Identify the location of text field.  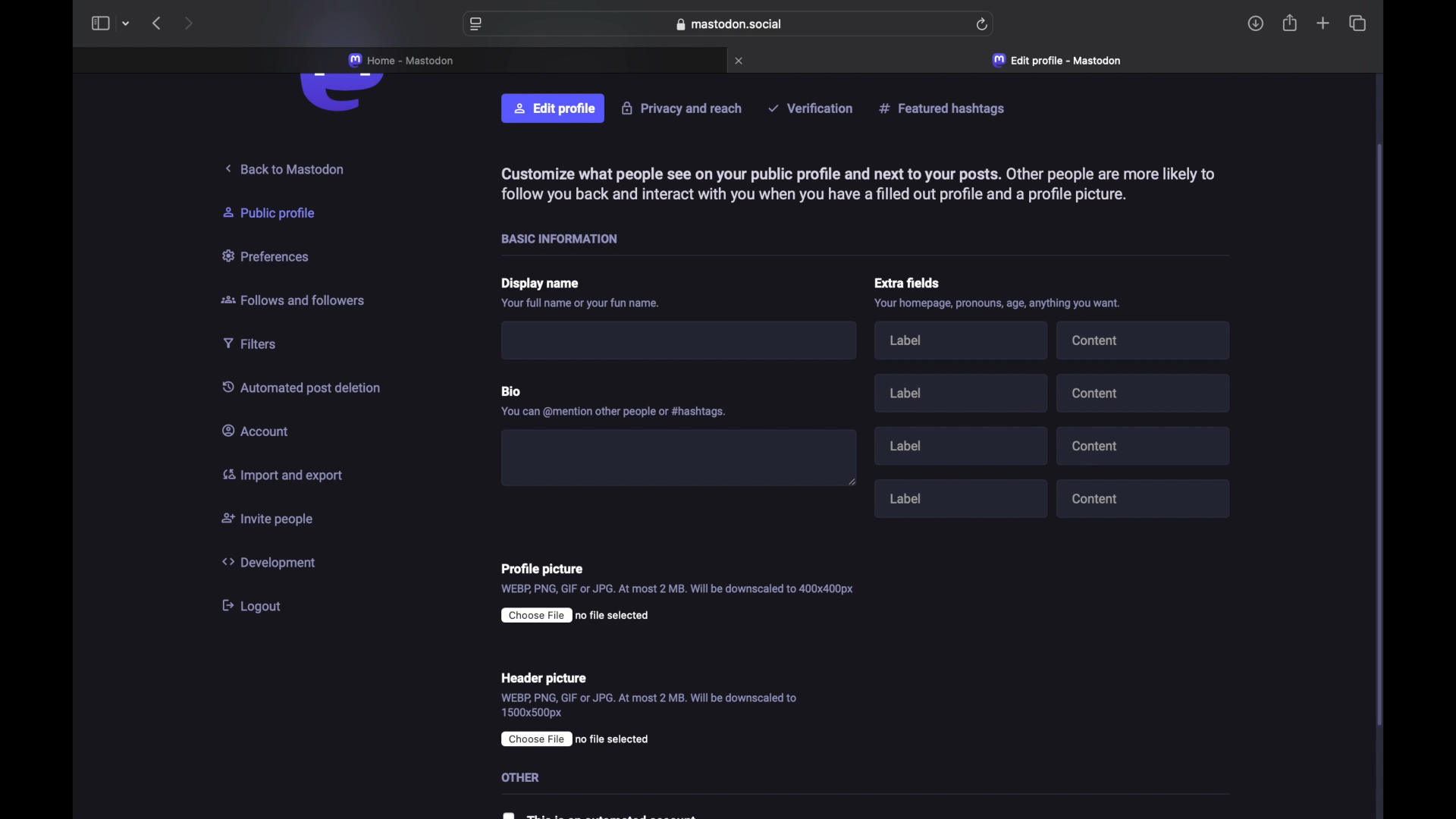
(682, 342).